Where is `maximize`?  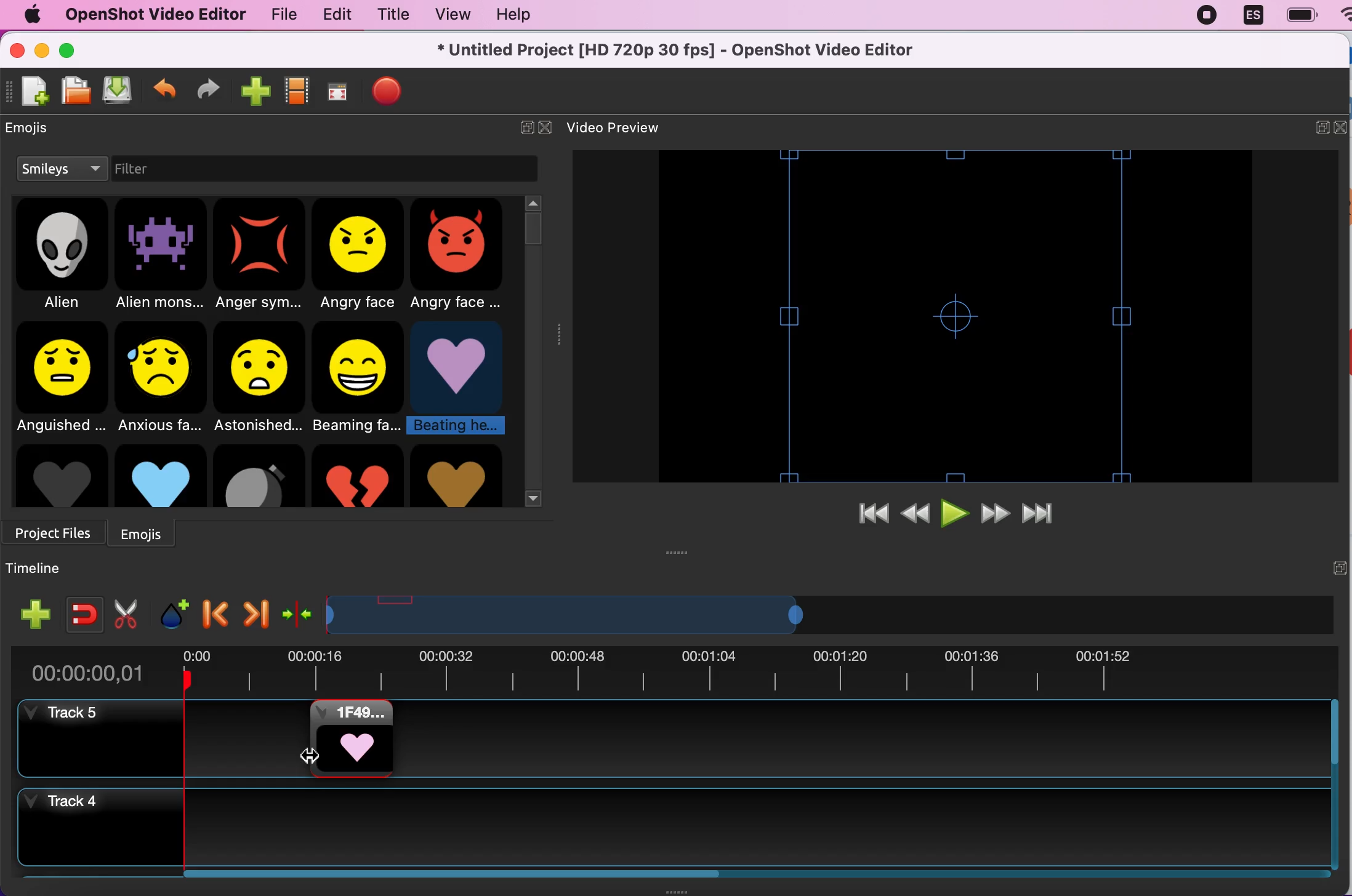 maximize is located at coordinates (71, 49).